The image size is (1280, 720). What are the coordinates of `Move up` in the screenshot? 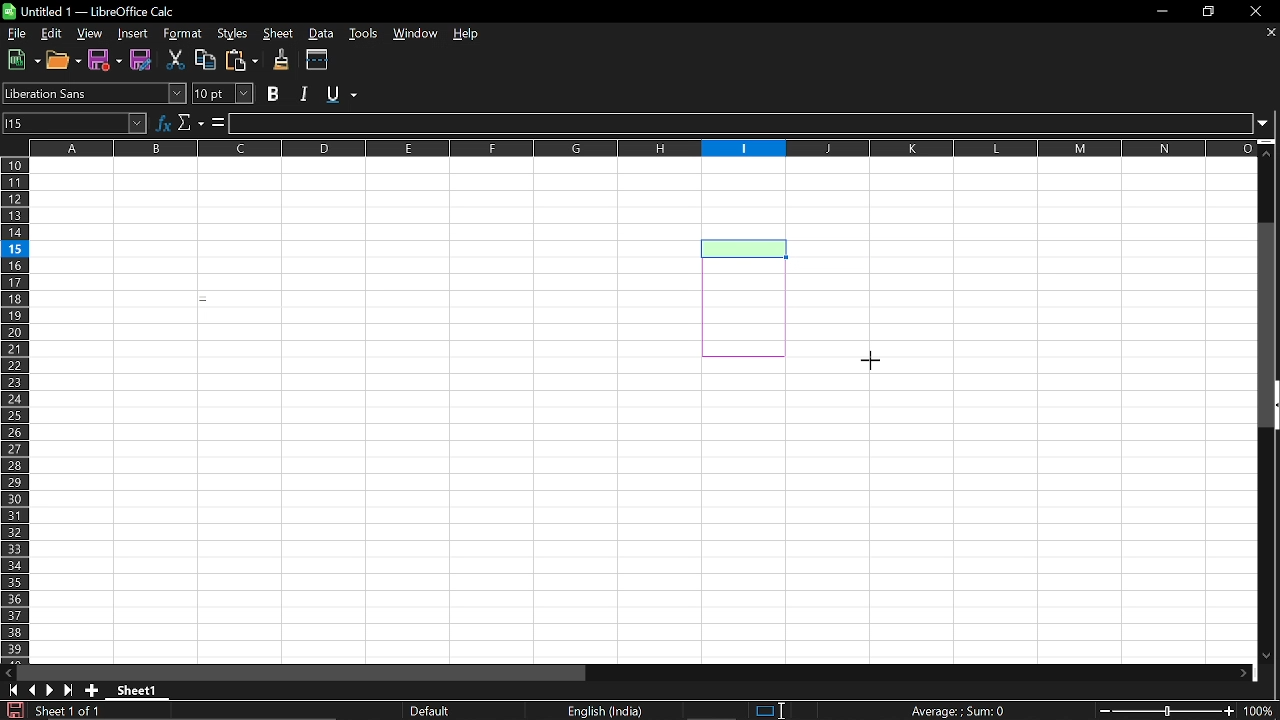 It's located at (1269, 152).